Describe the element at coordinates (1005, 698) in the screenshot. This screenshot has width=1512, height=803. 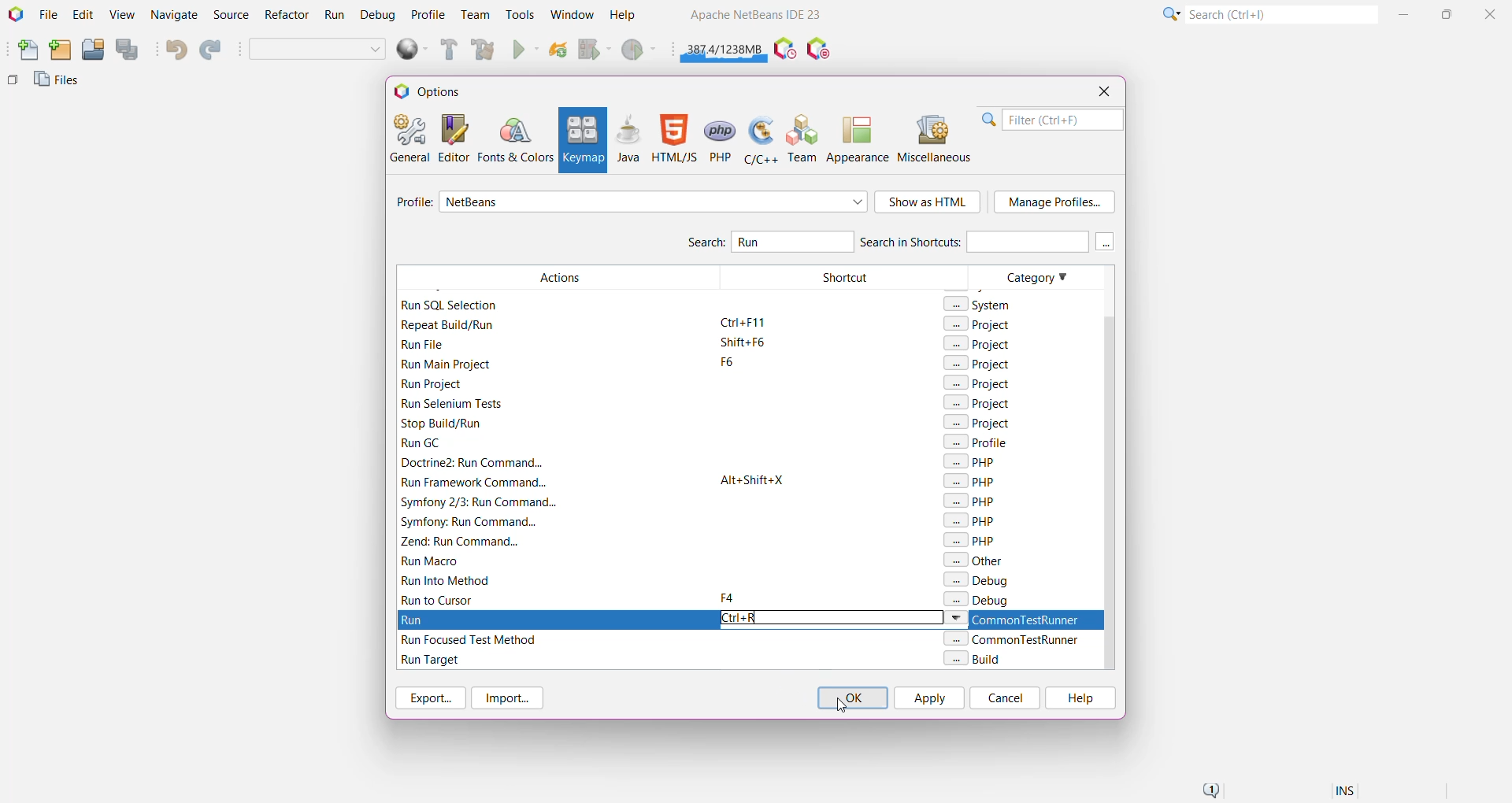
I see `Cancel` at that location.